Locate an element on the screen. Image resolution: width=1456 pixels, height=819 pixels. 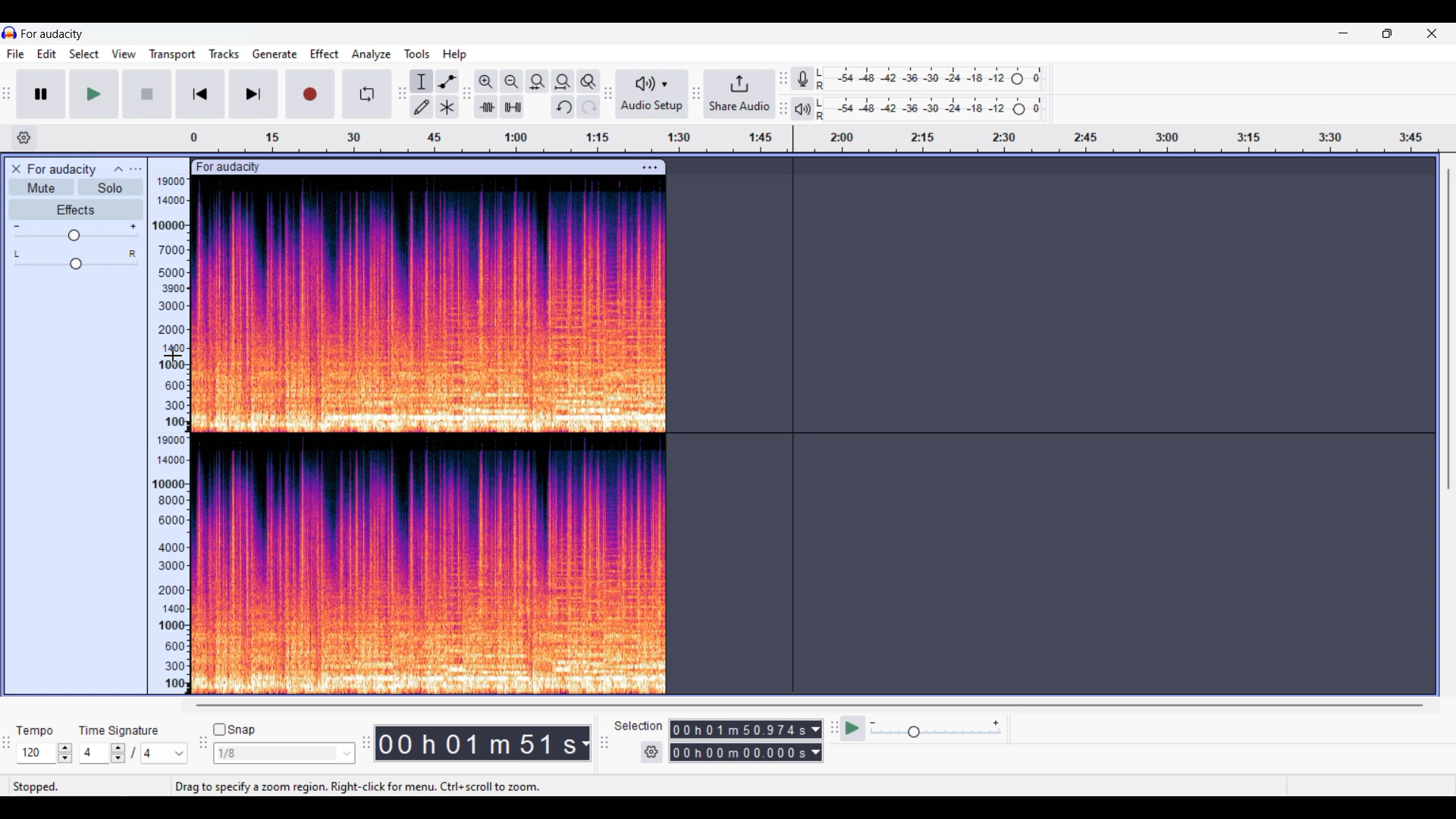
Minimize is located at coordinates (1344, 33).